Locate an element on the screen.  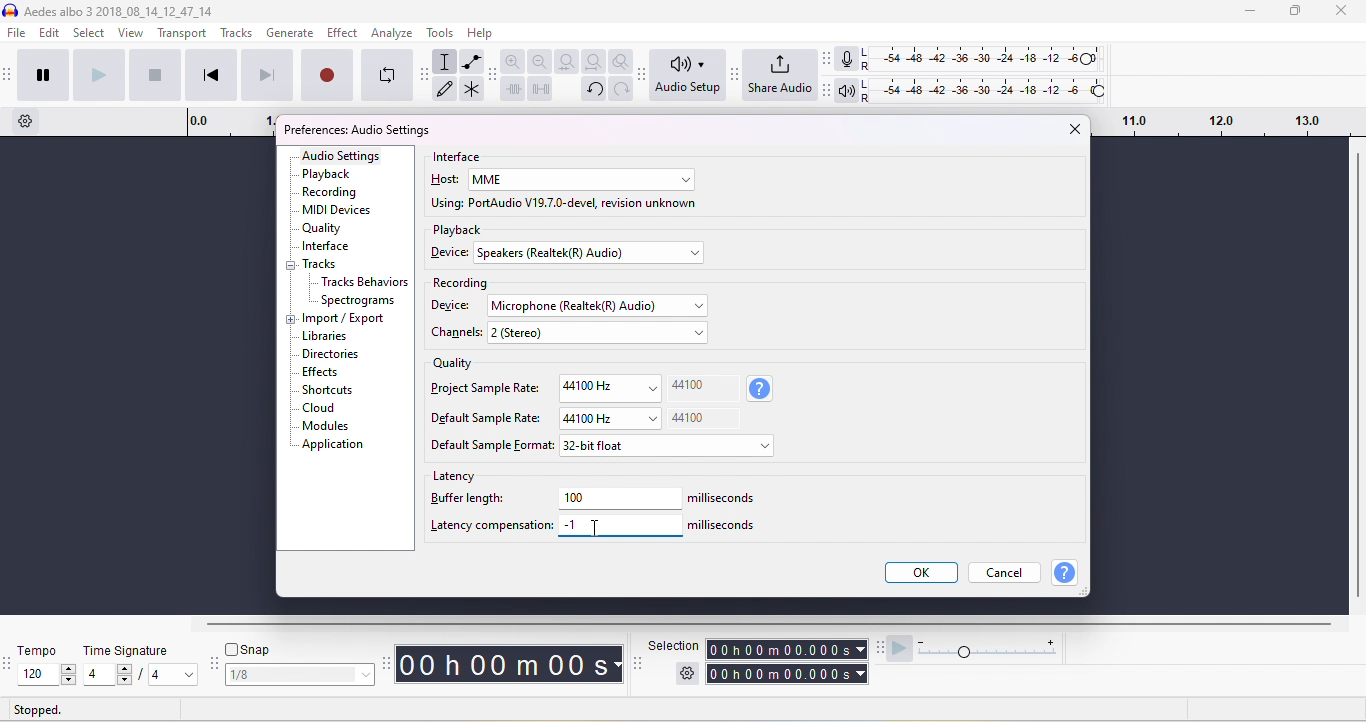
audacity snapping toolbar is located at coordinates (215, 664).